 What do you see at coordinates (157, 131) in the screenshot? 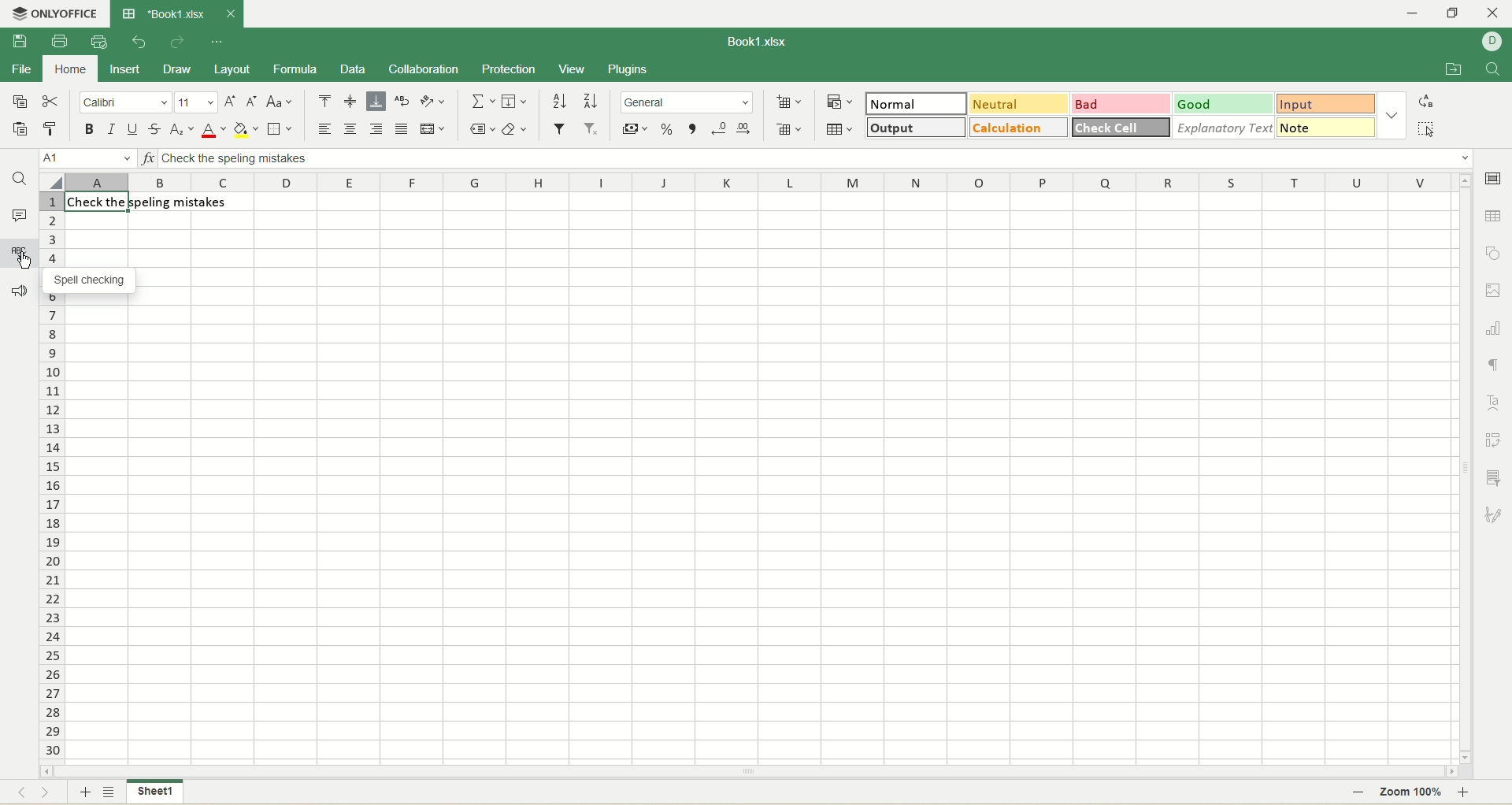
I see `strikethrough` at bounding box center [157, 131].